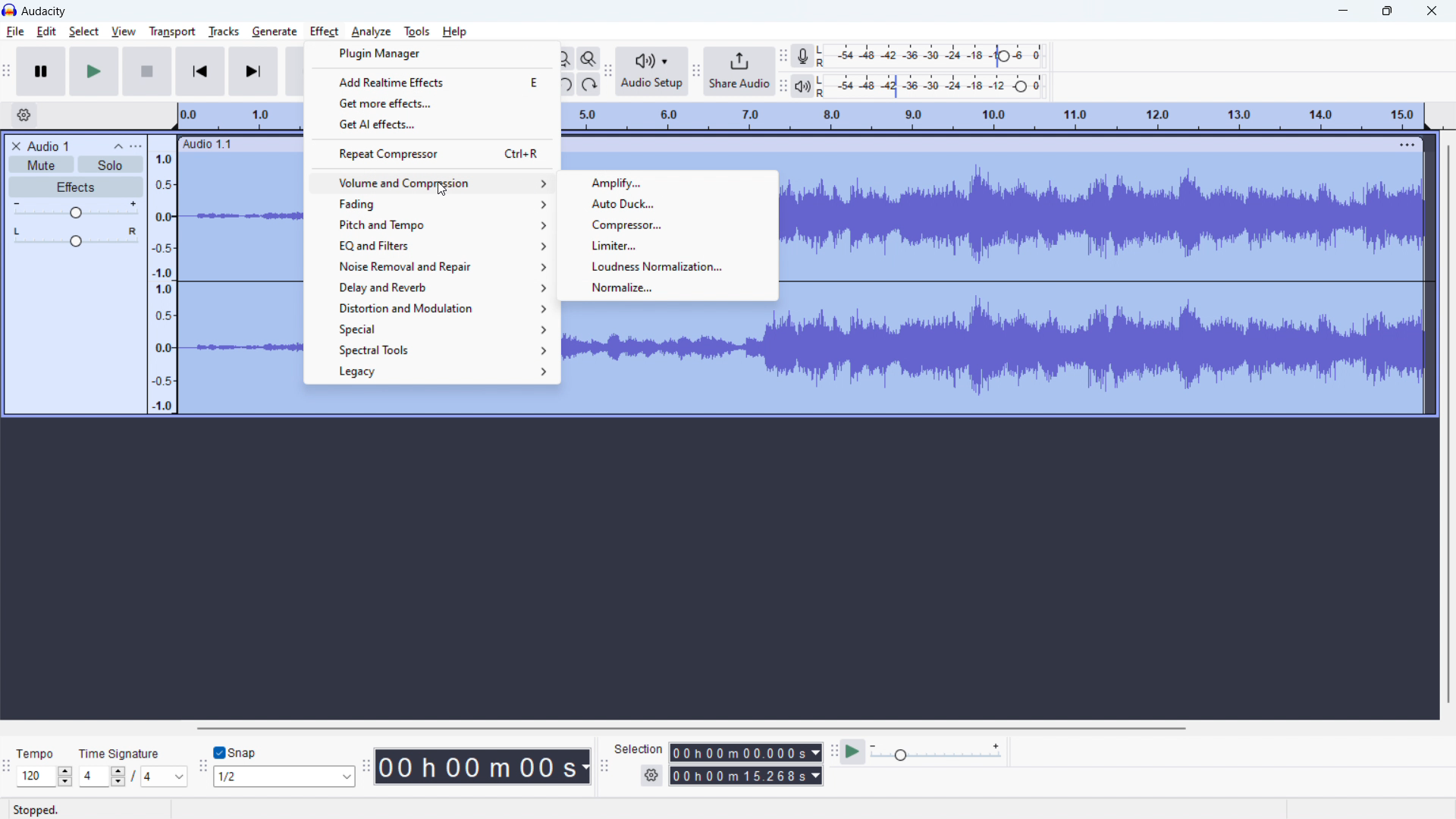  Describe the element at coordinates (325, 33) in the screenshot. I see `effect` at that location.